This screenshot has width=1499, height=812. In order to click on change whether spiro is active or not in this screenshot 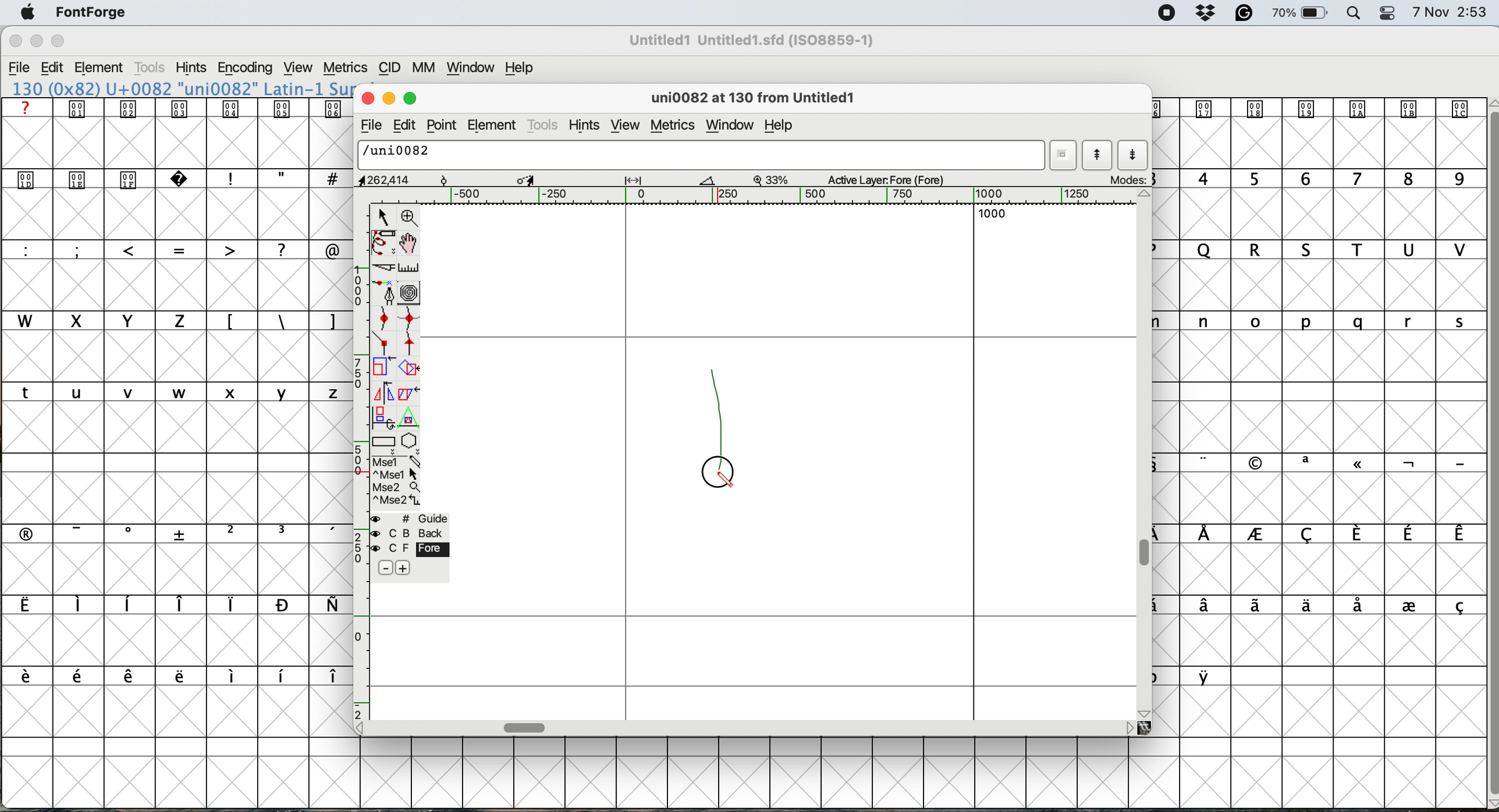, I will do `click(413, 294)`.